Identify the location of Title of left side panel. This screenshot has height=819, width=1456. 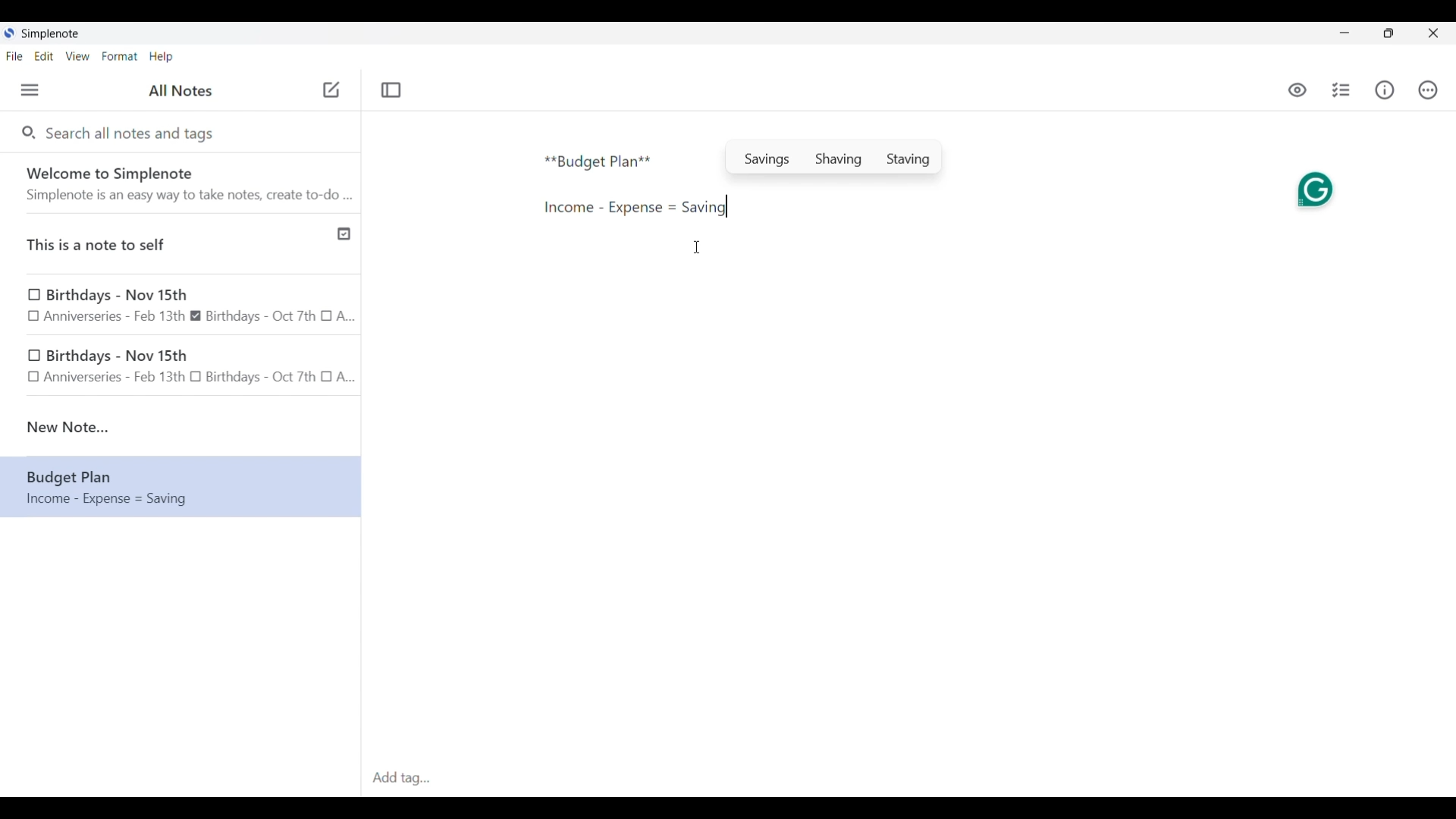
(180, 91).